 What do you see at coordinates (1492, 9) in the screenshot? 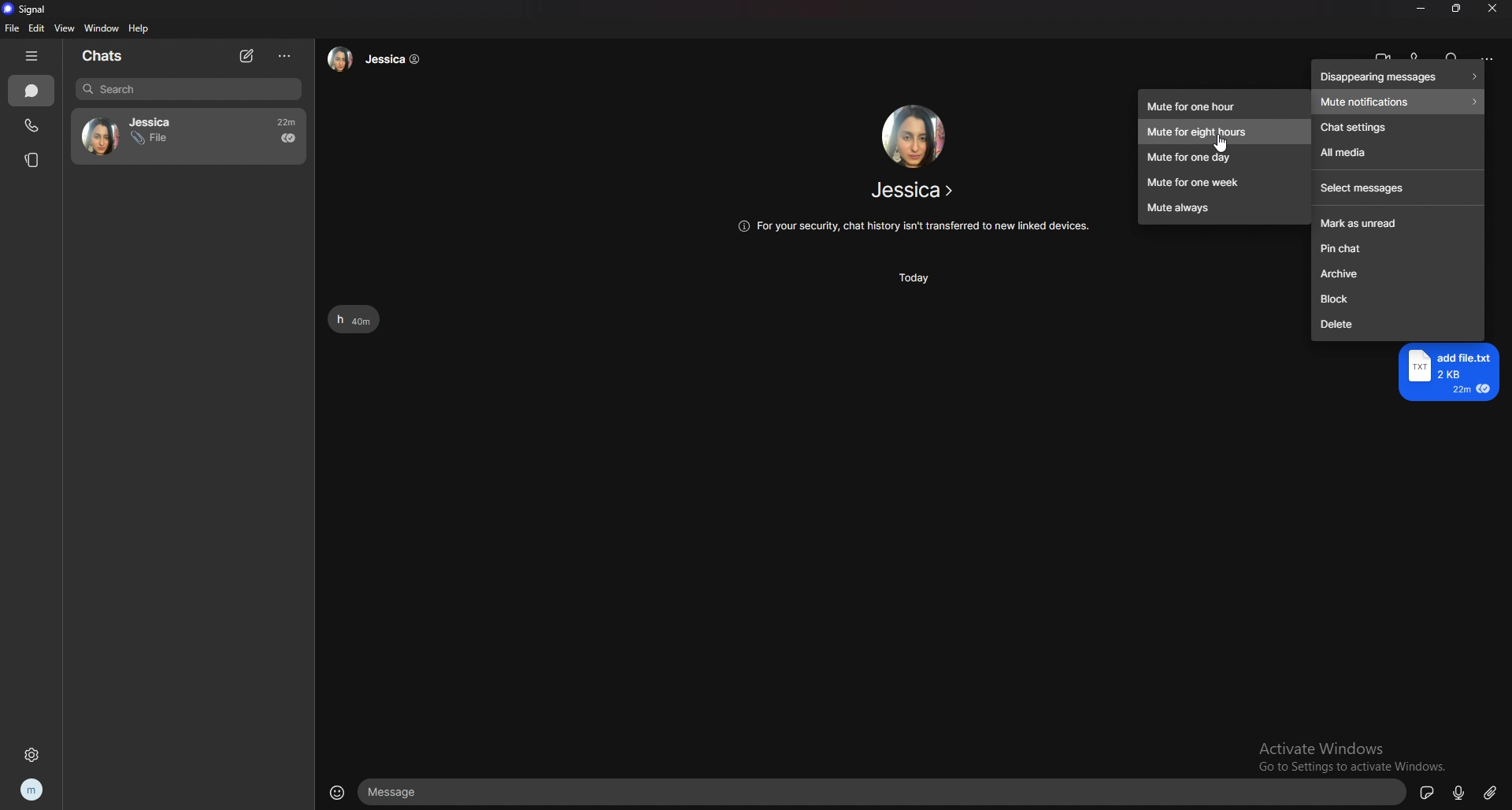
I see `close` at bounding box center [1492, 9].